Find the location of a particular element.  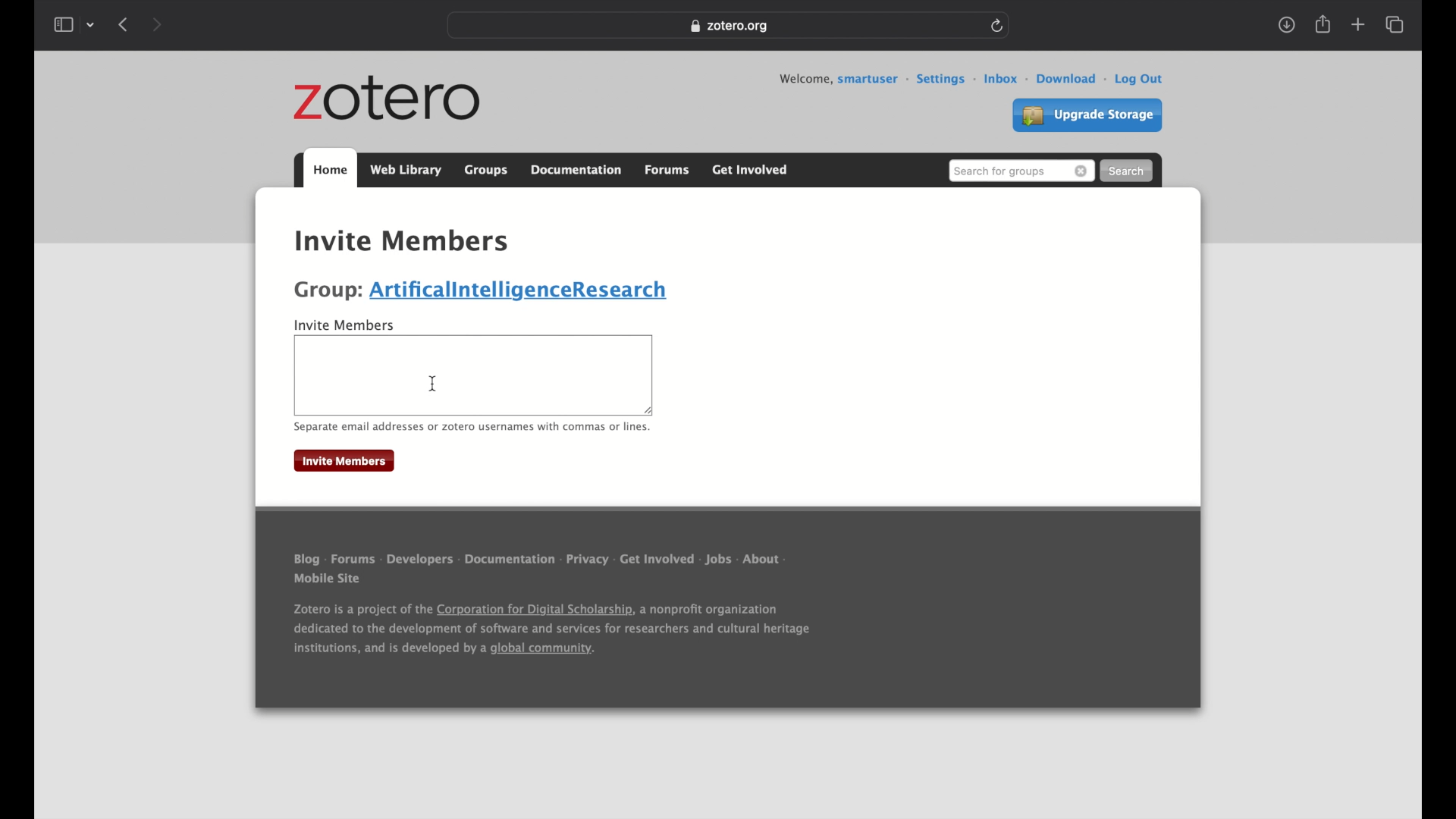

show sidebar dropdown menu is located at coordinates (74, 25).